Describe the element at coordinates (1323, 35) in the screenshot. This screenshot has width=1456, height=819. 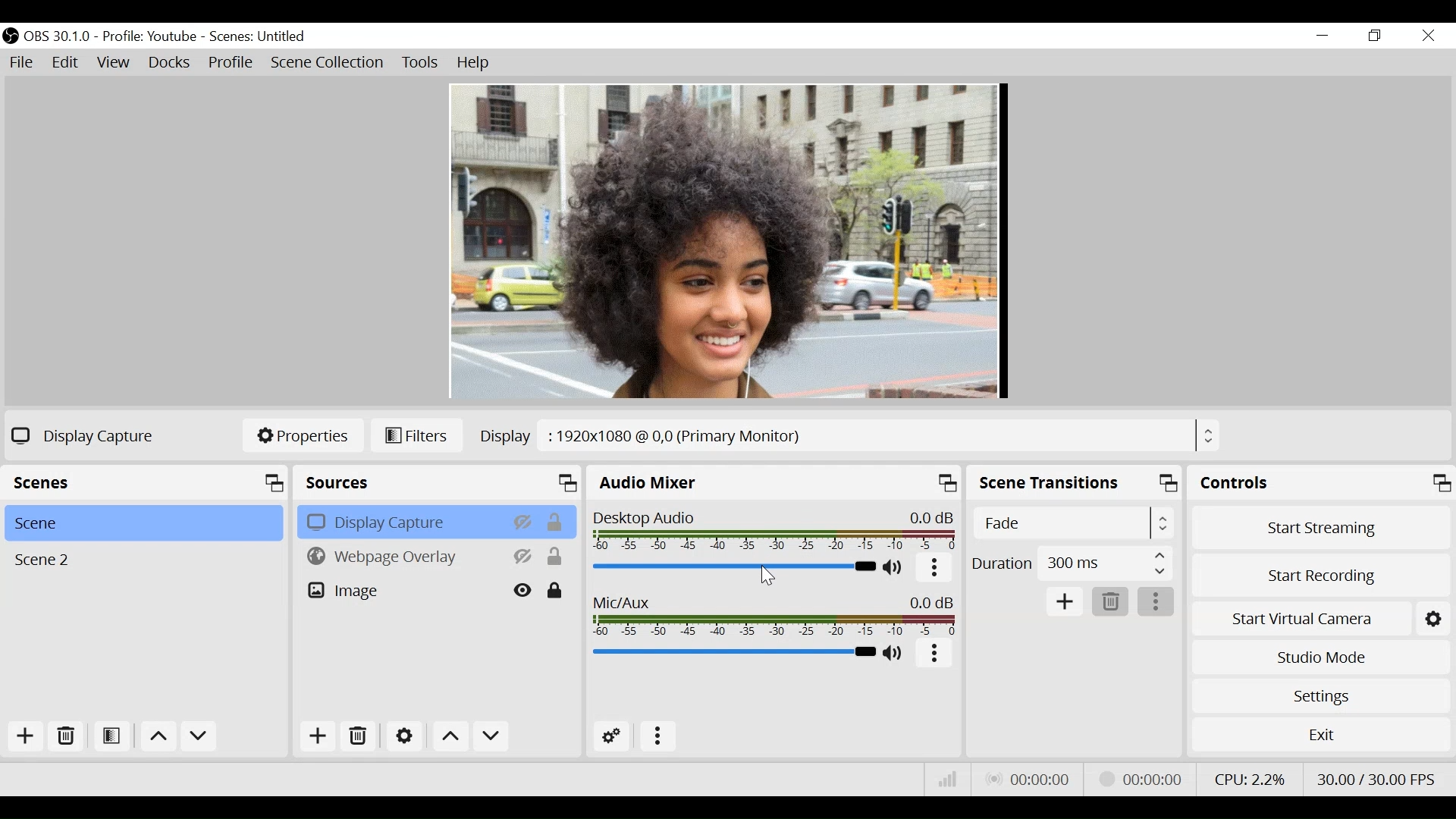
I see `minimize` at that location.